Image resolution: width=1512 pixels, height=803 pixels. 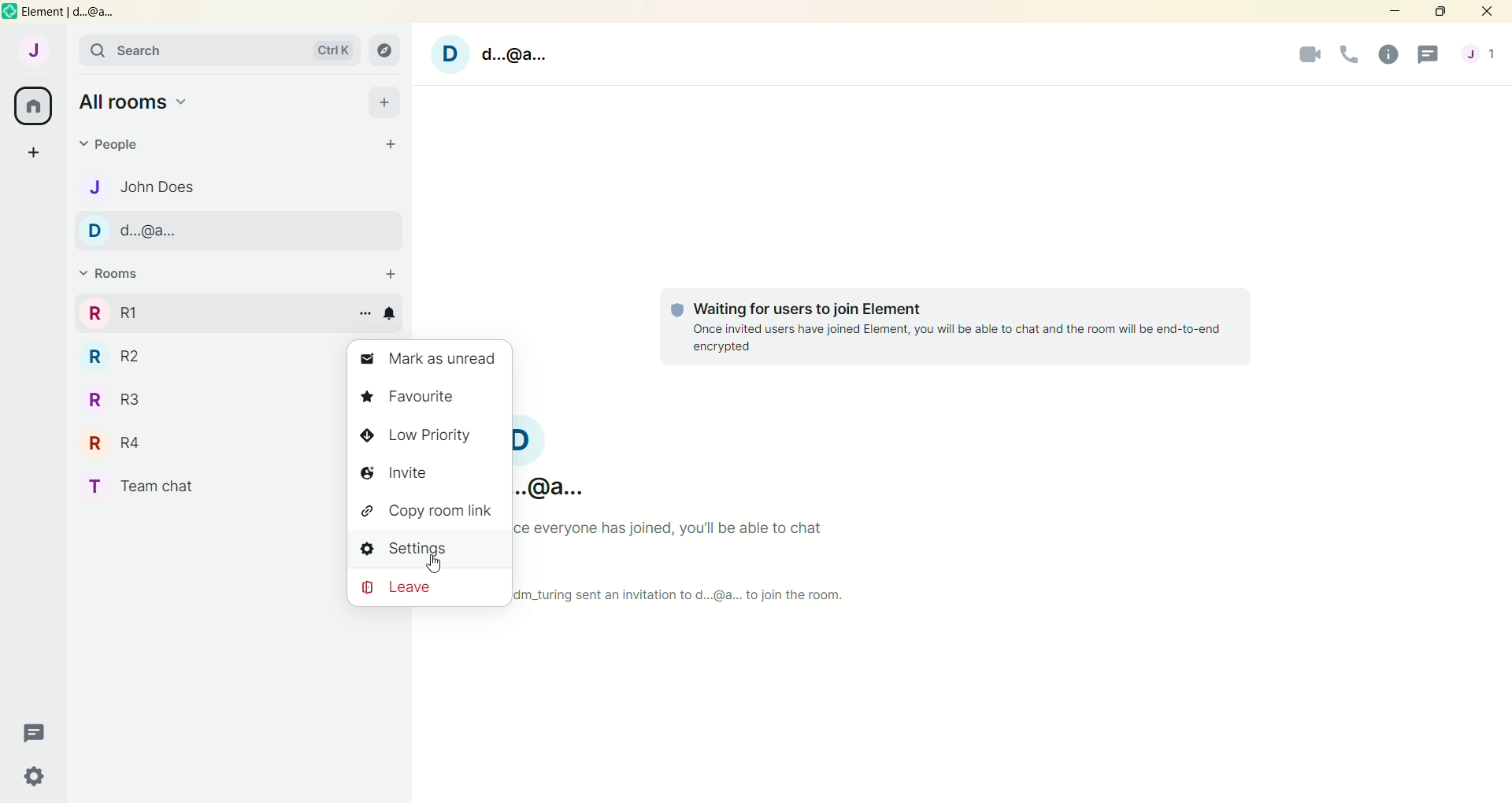 What do you see at coordinates (400, 474) in the screenshot?
I see `invite` at bounding box center [400, 474].